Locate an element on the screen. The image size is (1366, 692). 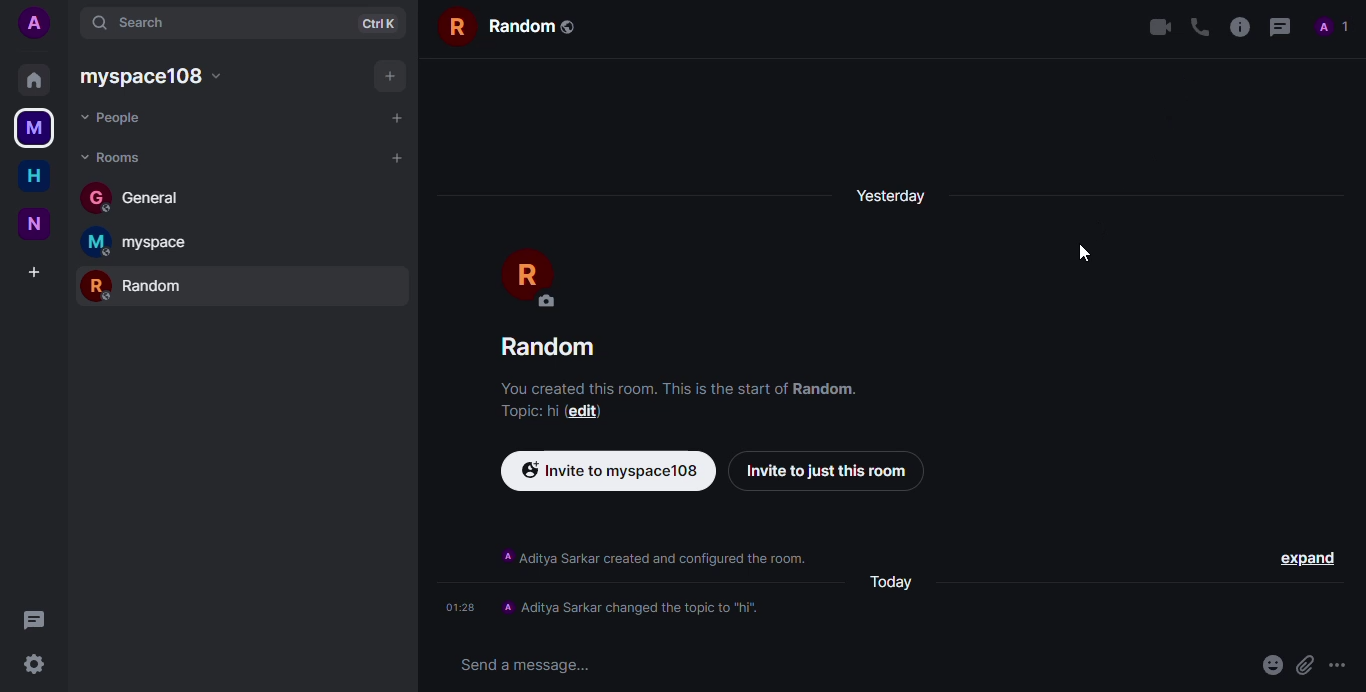
topic added is located at coordinates (529, 410).